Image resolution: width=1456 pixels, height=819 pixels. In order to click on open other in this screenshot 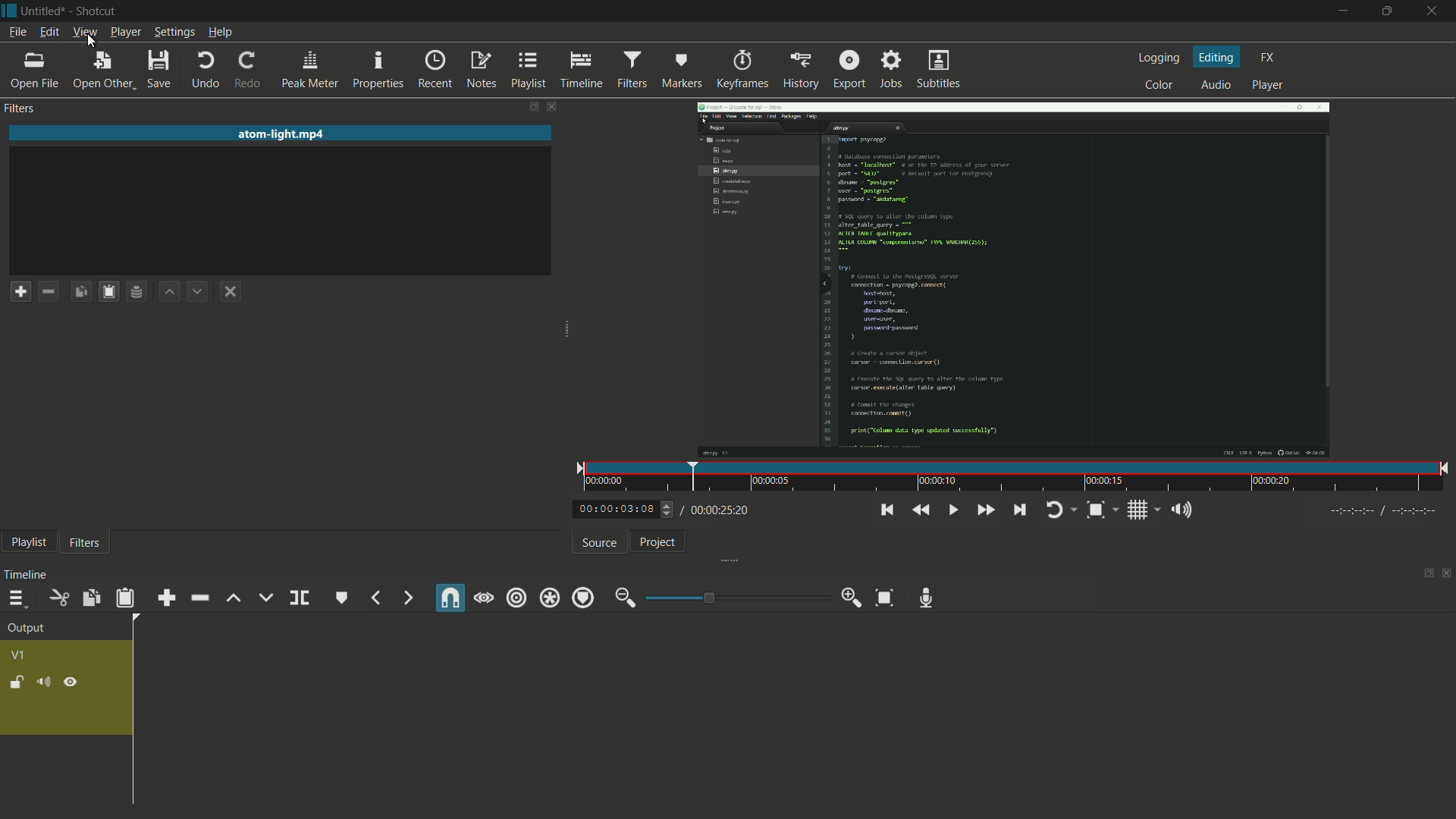, I will do `click(99, 71)`.